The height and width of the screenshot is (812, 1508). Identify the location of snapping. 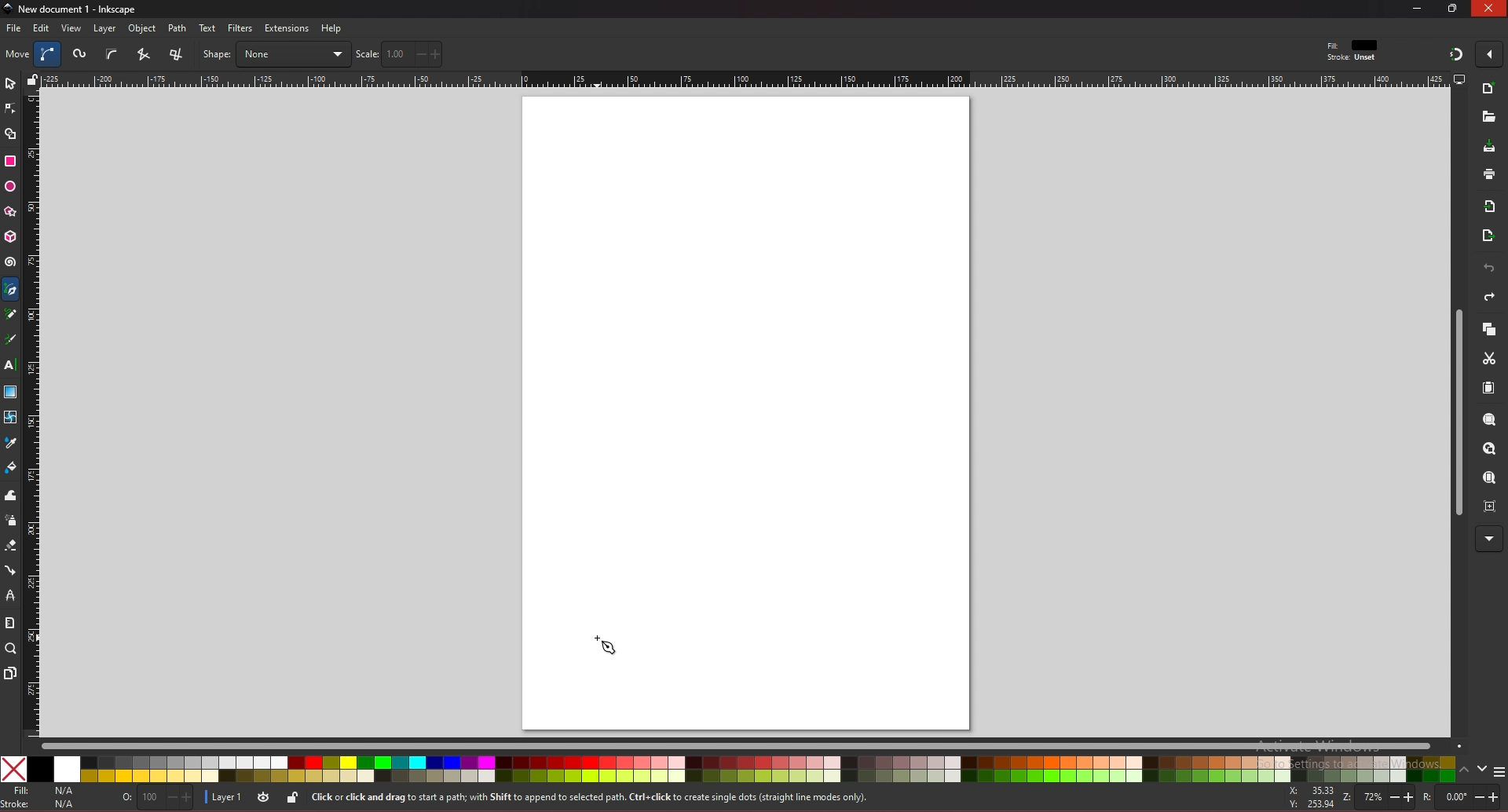
(1456, 53).